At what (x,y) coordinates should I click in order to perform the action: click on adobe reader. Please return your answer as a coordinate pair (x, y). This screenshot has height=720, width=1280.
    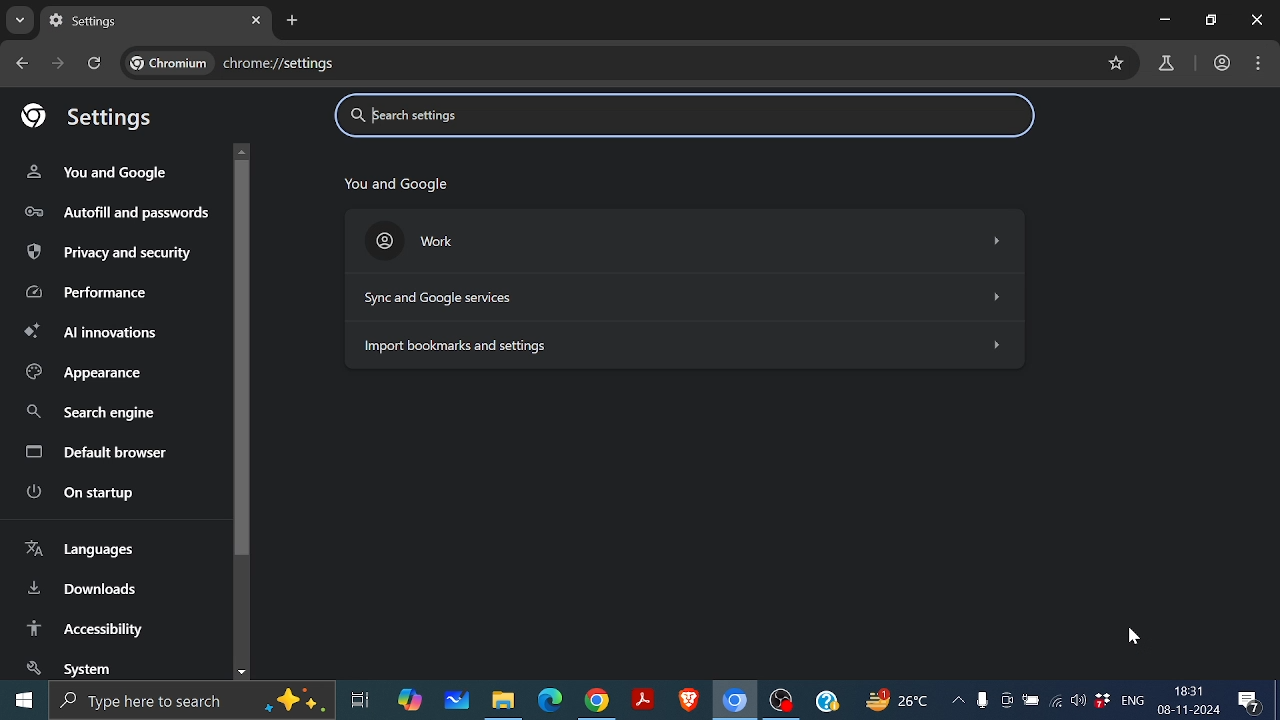
    Looking at the image, I should click on (643, 701).